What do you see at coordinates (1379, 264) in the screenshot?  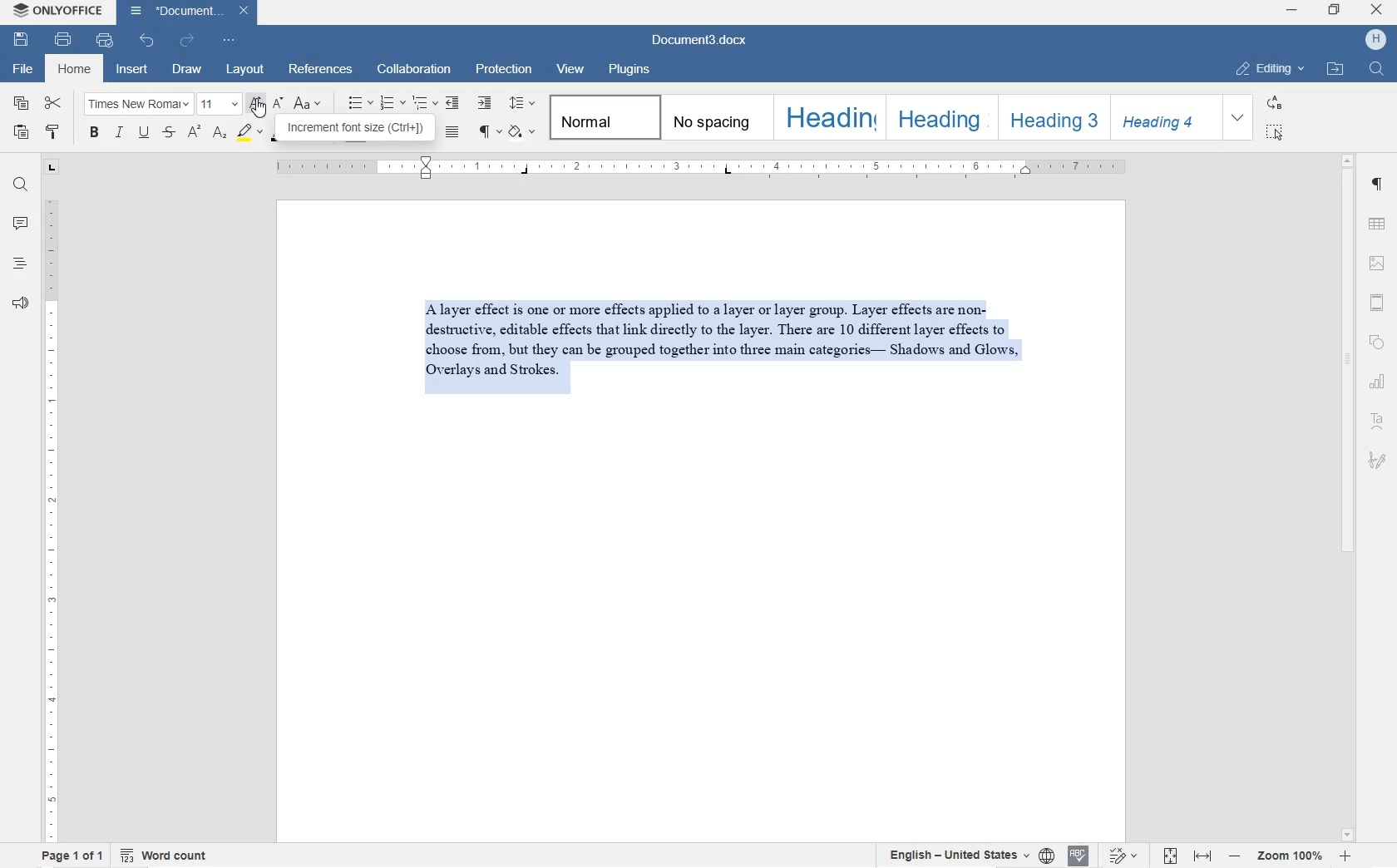 I see `IMAGE` at bounding box center [1379, 264].